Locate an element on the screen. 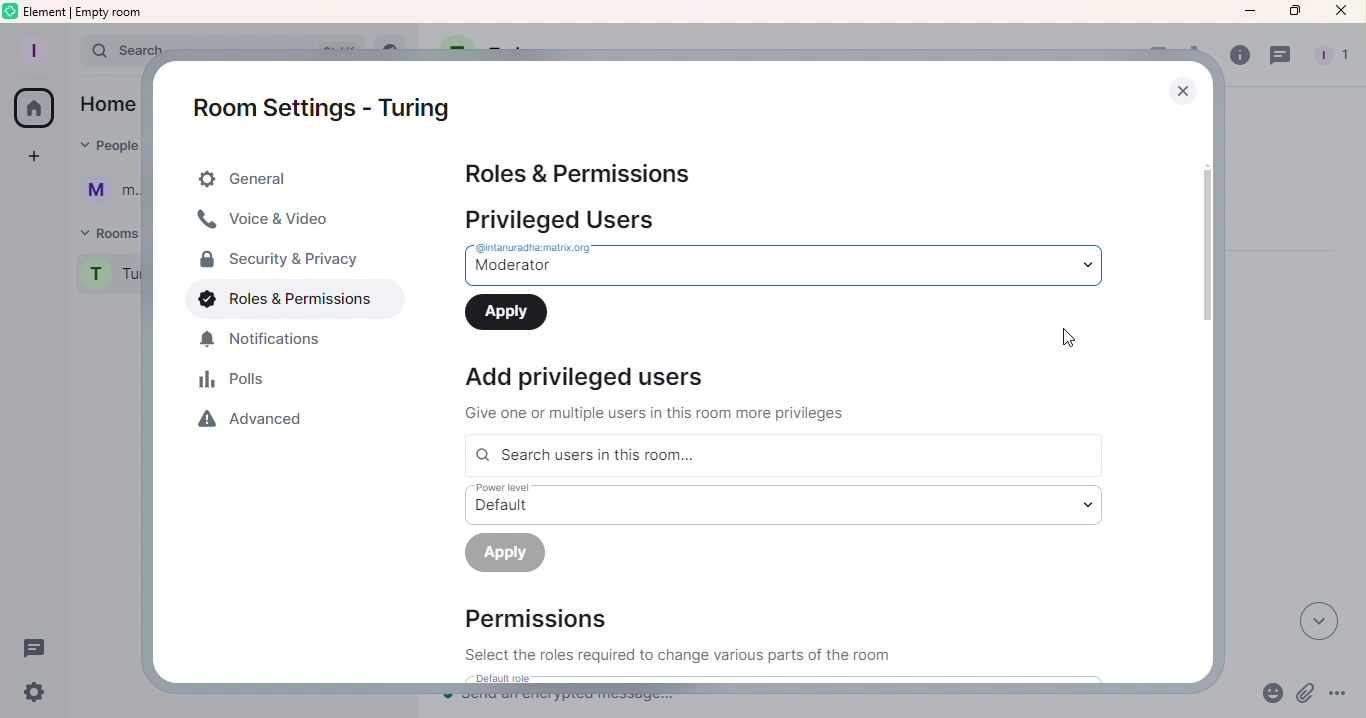 The image size is (1366, 718). Voice & Video is located at coordinates (287, 219).